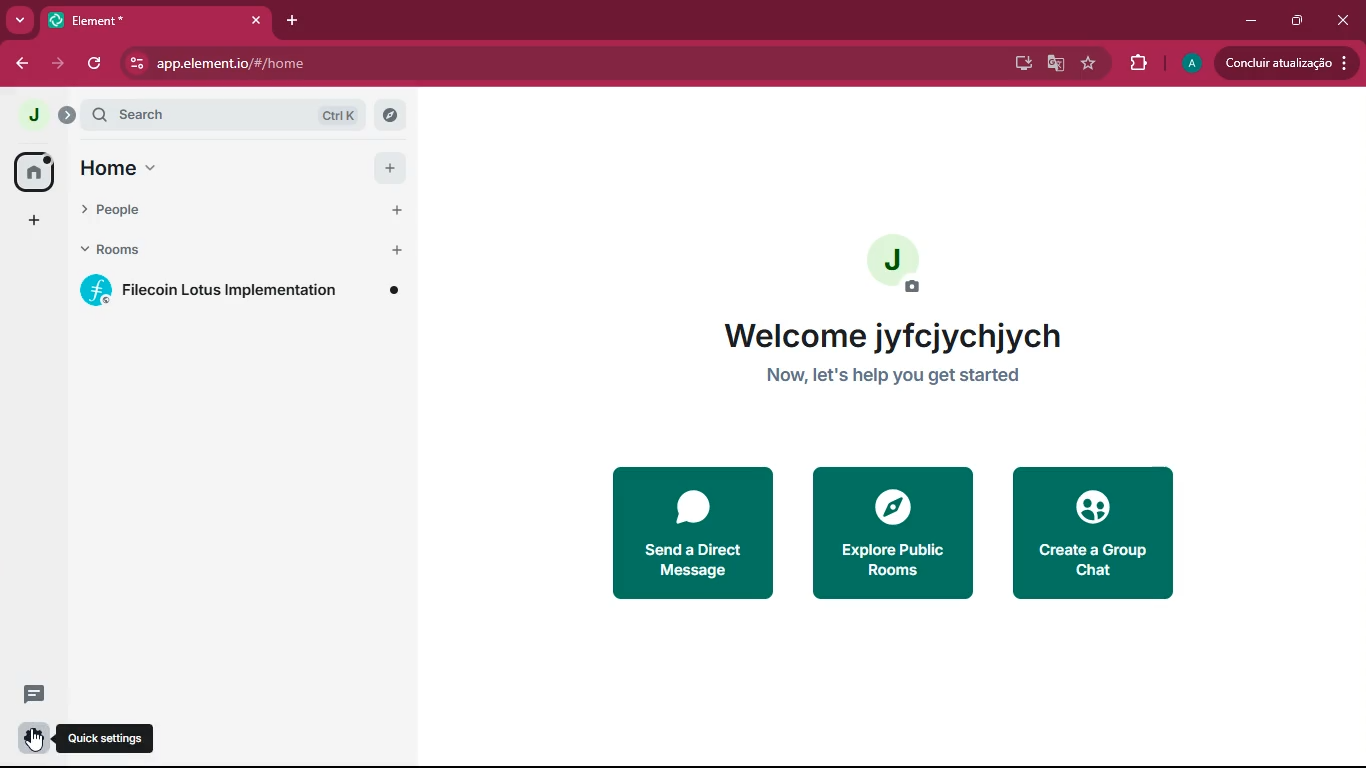 This screenshot has width=1366, height=768. What do you see at coordinates (894, 376) in the screenshot?
I see `now let's help you get started` at bounding box center [894, 376].